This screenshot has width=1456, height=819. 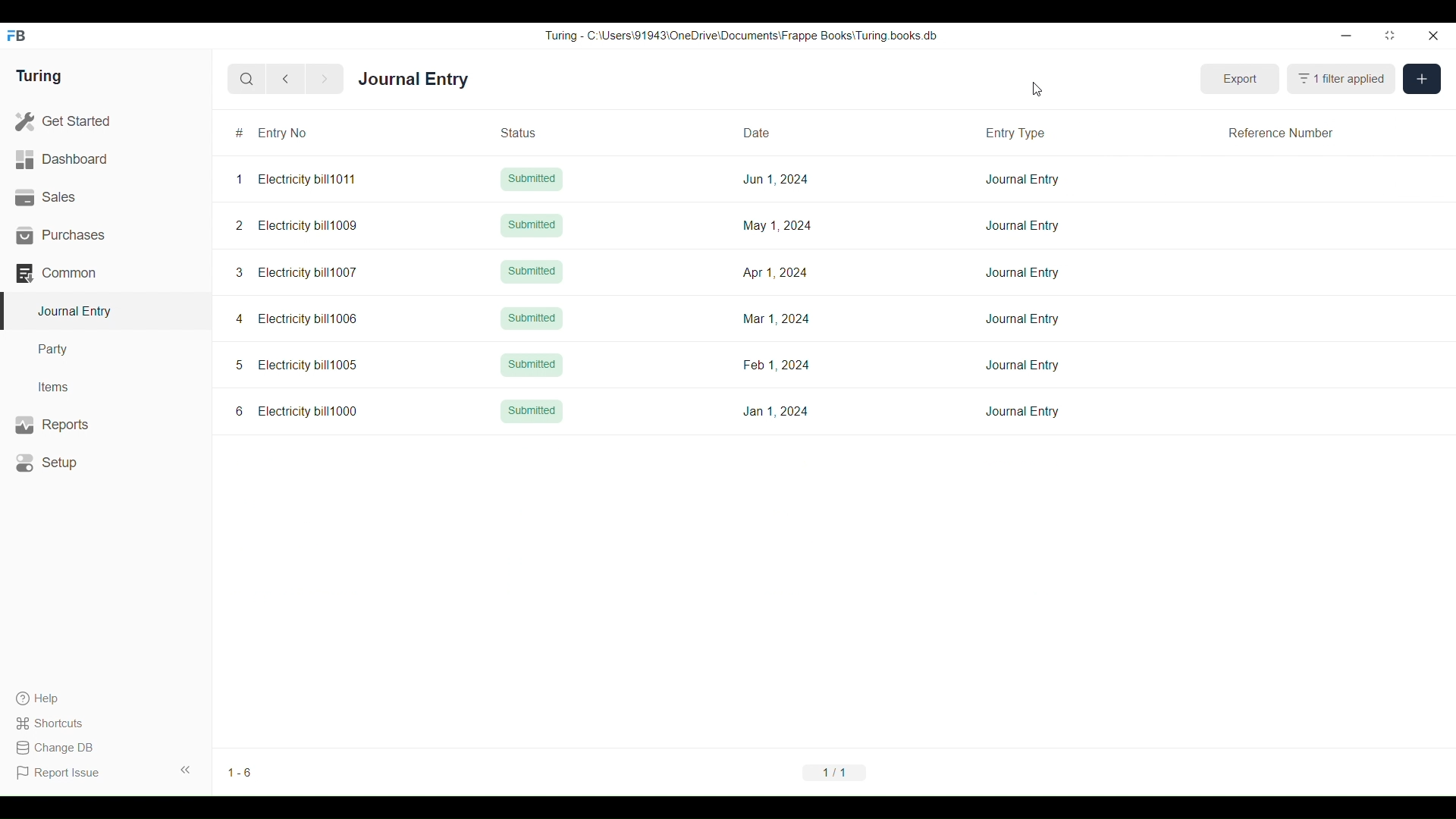 I want to click on Journal Entry, so click(x=1022, y=226).